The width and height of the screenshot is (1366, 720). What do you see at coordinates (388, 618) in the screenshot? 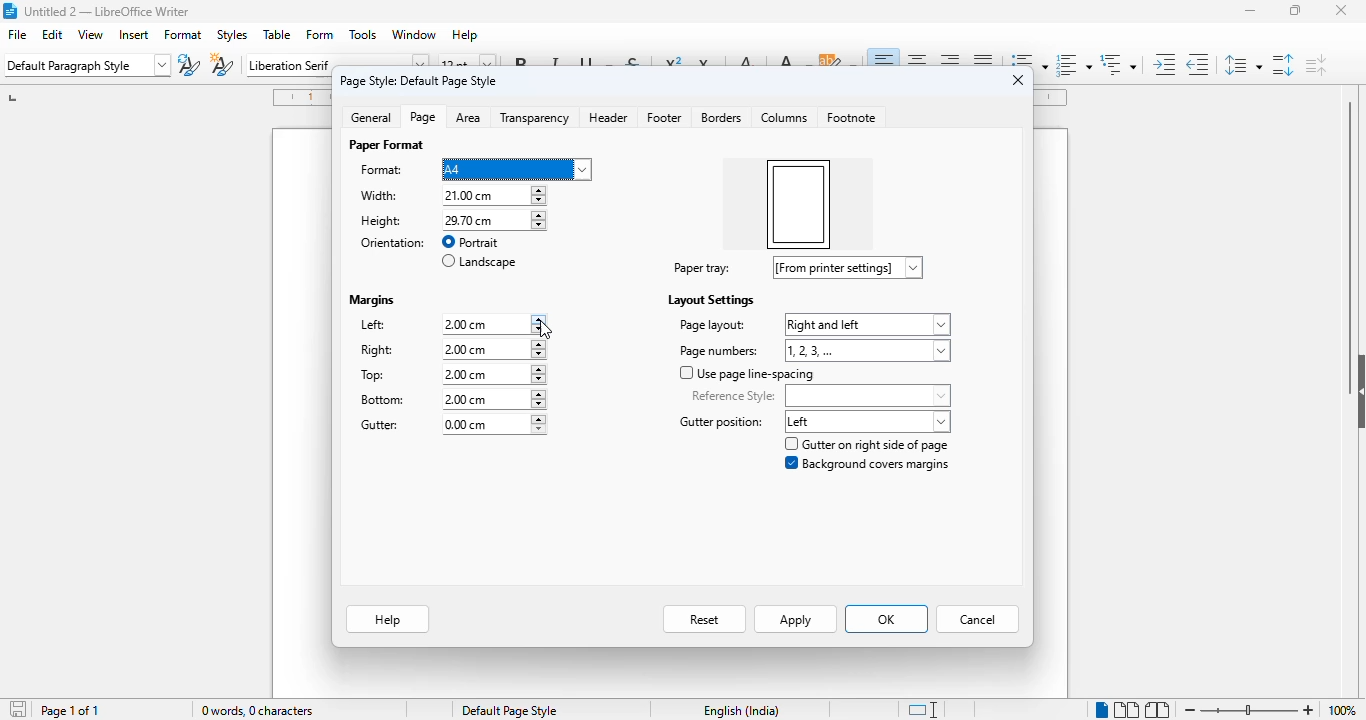
I see `help` at bounding box center [388, 618].